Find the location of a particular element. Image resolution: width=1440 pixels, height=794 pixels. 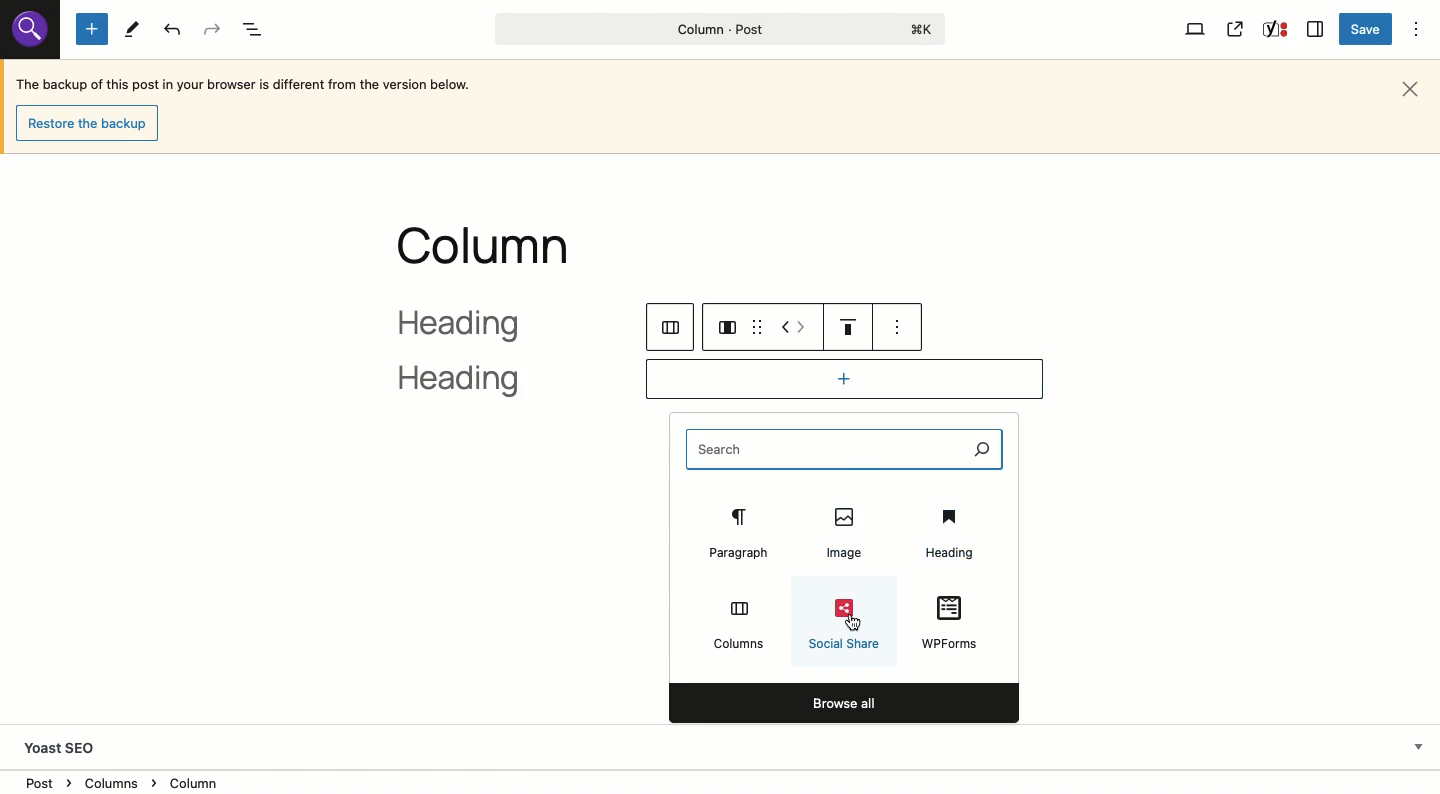

Paragraph is located at coordinates (748, 528).